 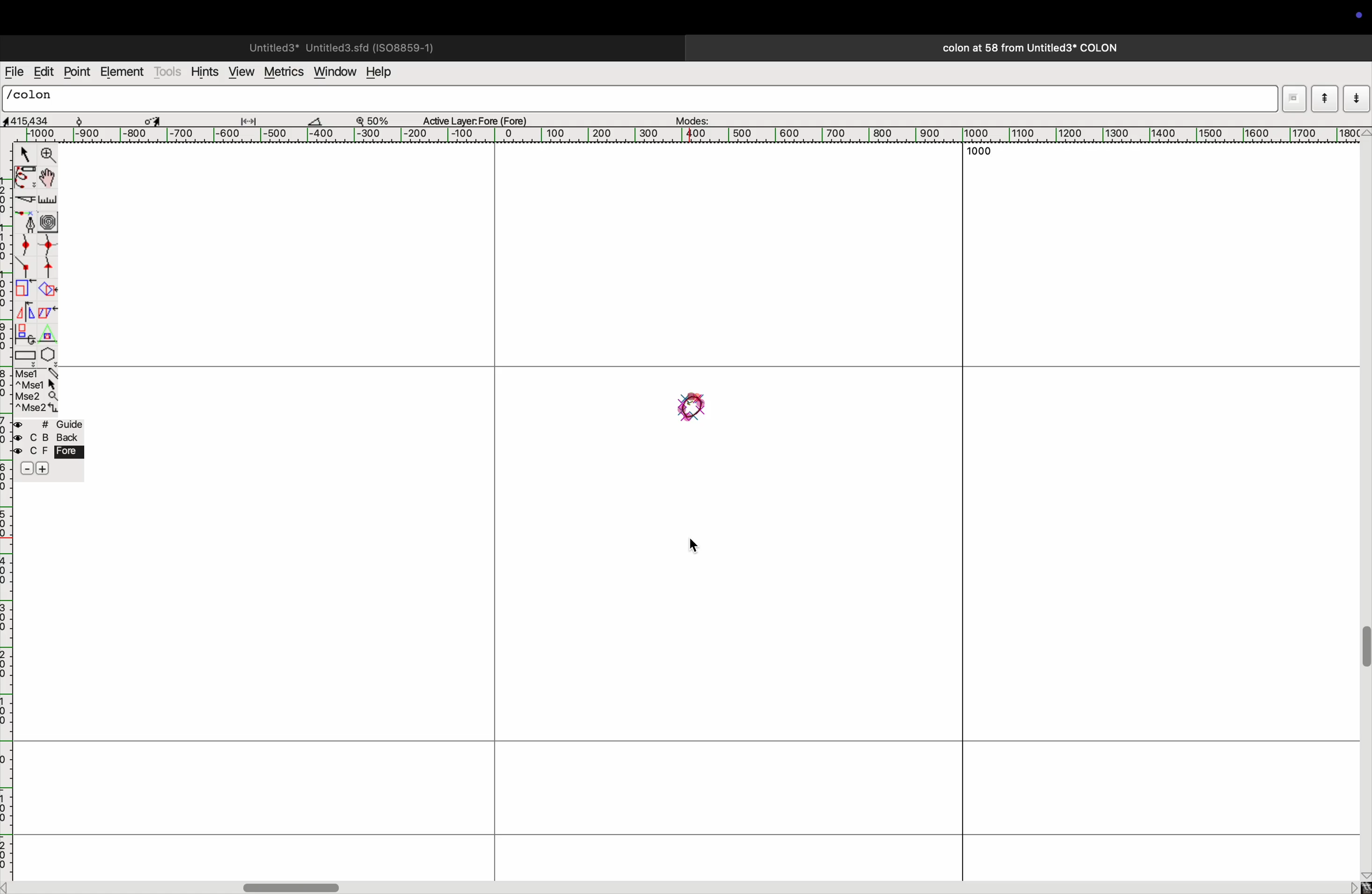 What do you see at coordinates (1356, 97) in the screenshot?
I see `mode down` at bounding box center [1356, 97].